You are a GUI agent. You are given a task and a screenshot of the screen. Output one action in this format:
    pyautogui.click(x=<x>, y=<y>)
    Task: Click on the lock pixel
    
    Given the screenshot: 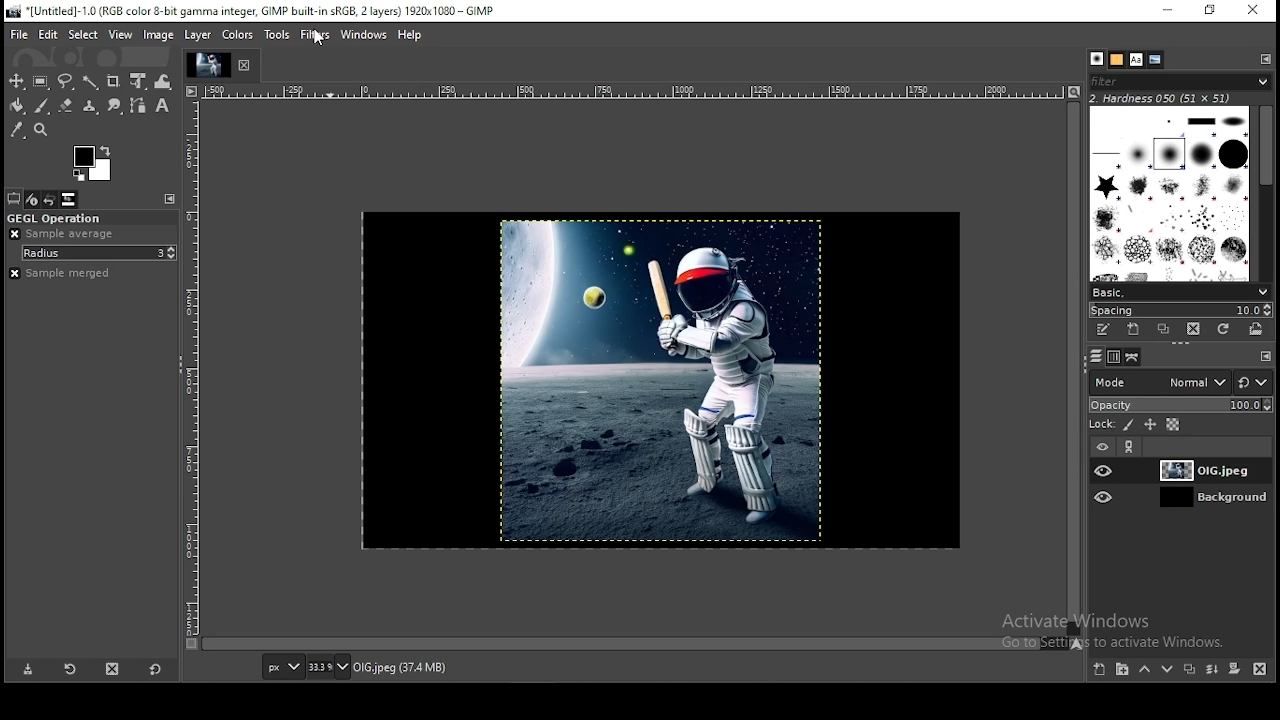 What is the action you would take?
    pyautogui.click(x=1129, y=425)
    